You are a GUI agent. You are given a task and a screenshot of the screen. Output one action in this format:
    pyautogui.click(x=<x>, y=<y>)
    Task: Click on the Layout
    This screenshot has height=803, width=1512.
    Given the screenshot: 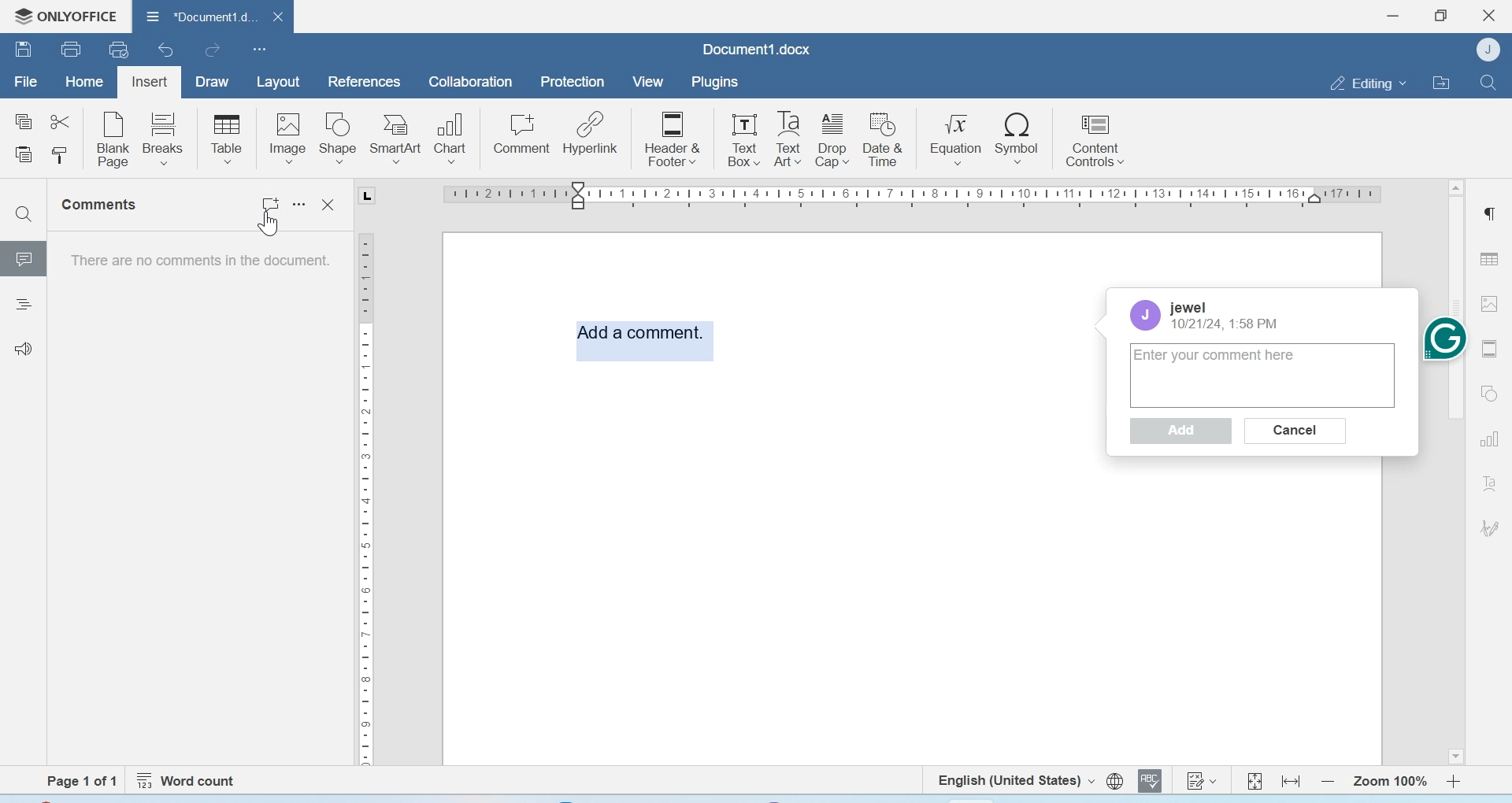 What is the action you would take?
    pyautogui.click(x=277, y=83)
    